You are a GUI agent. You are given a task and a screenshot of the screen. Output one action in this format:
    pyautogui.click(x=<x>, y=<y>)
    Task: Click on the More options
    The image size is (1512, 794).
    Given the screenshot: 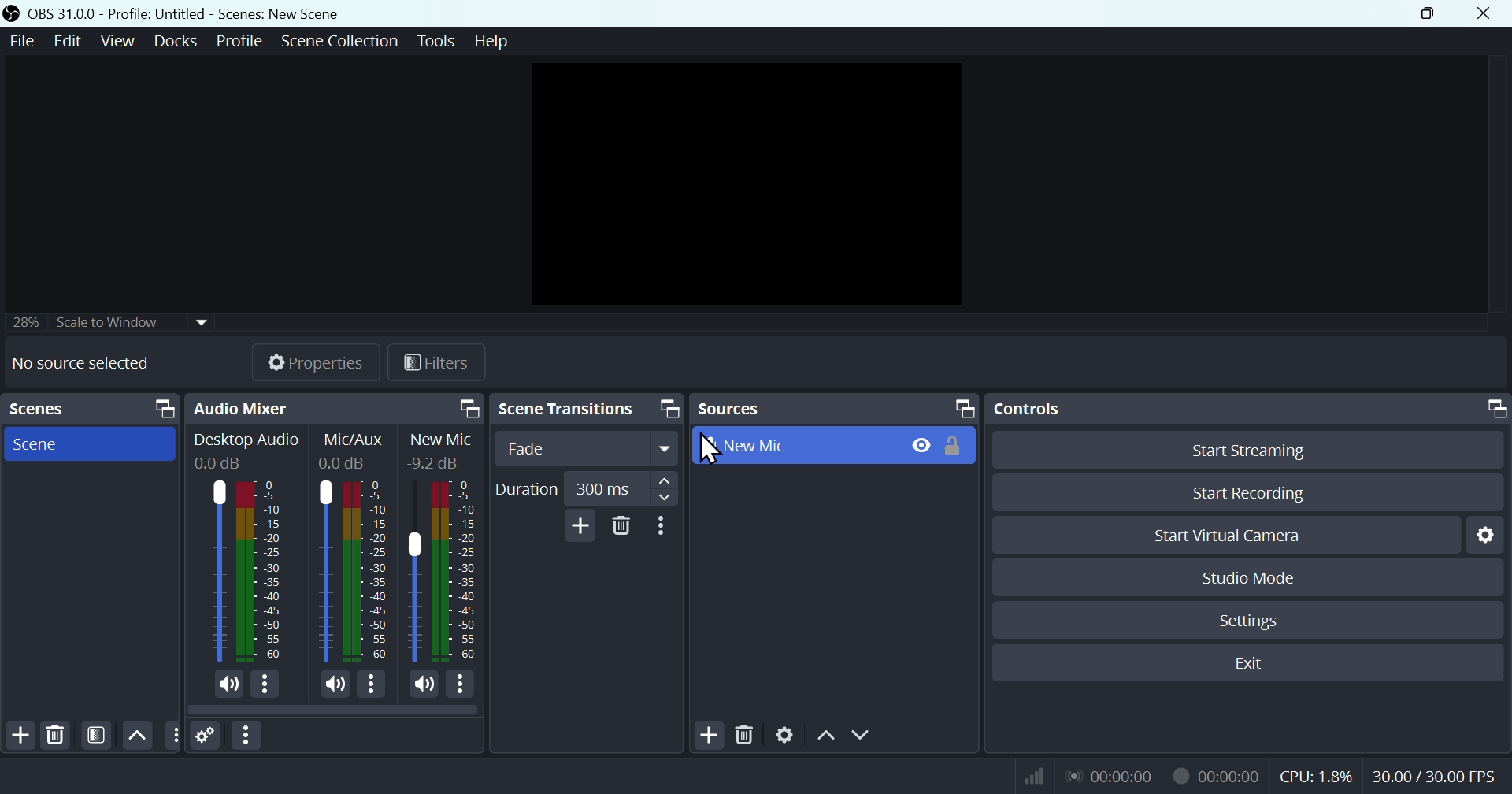 What is the action you would take?
    pyautogui.click(x=246, y=735)
    